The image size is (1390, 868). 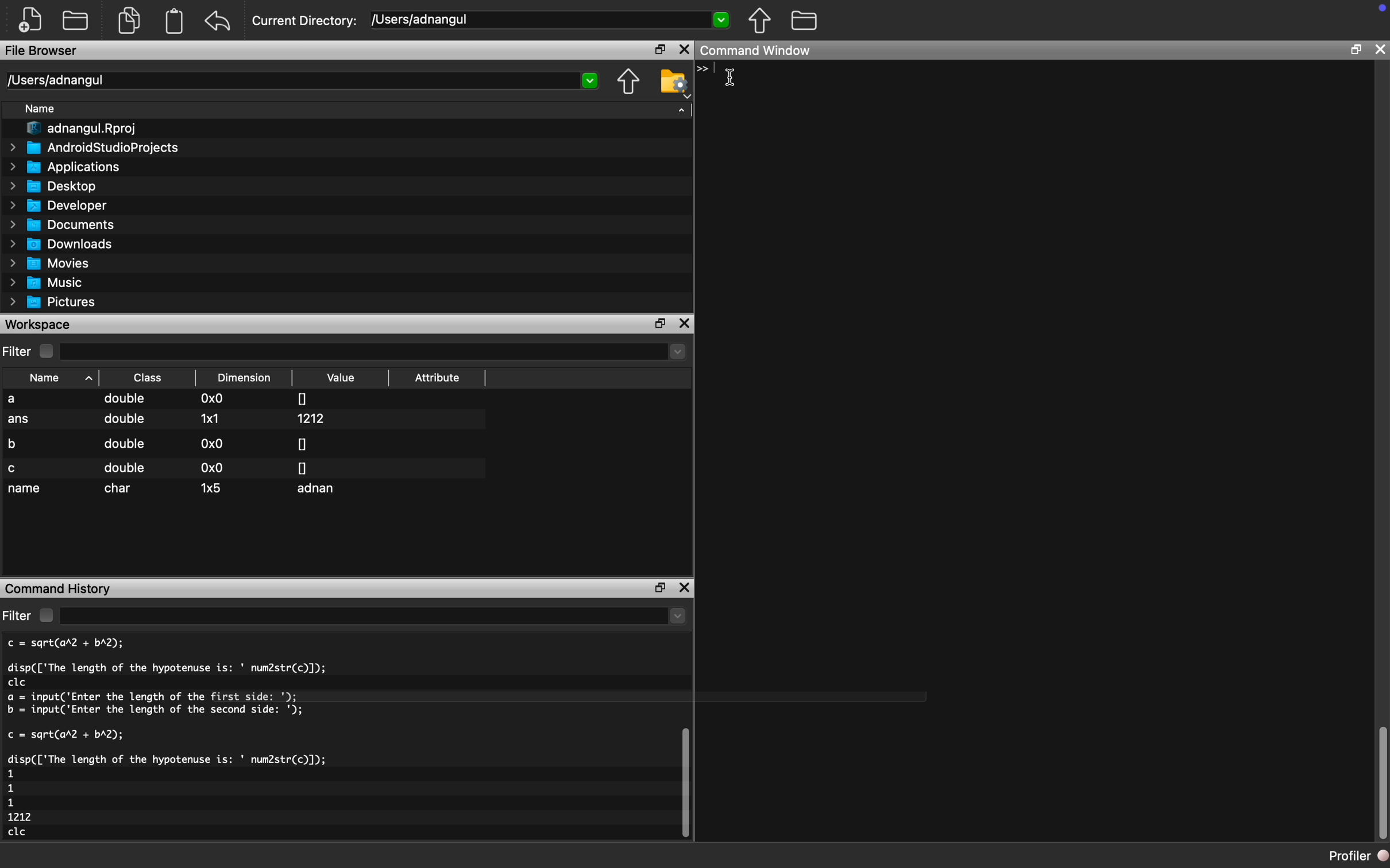 I want to click on double, so click(x=123, y=423).